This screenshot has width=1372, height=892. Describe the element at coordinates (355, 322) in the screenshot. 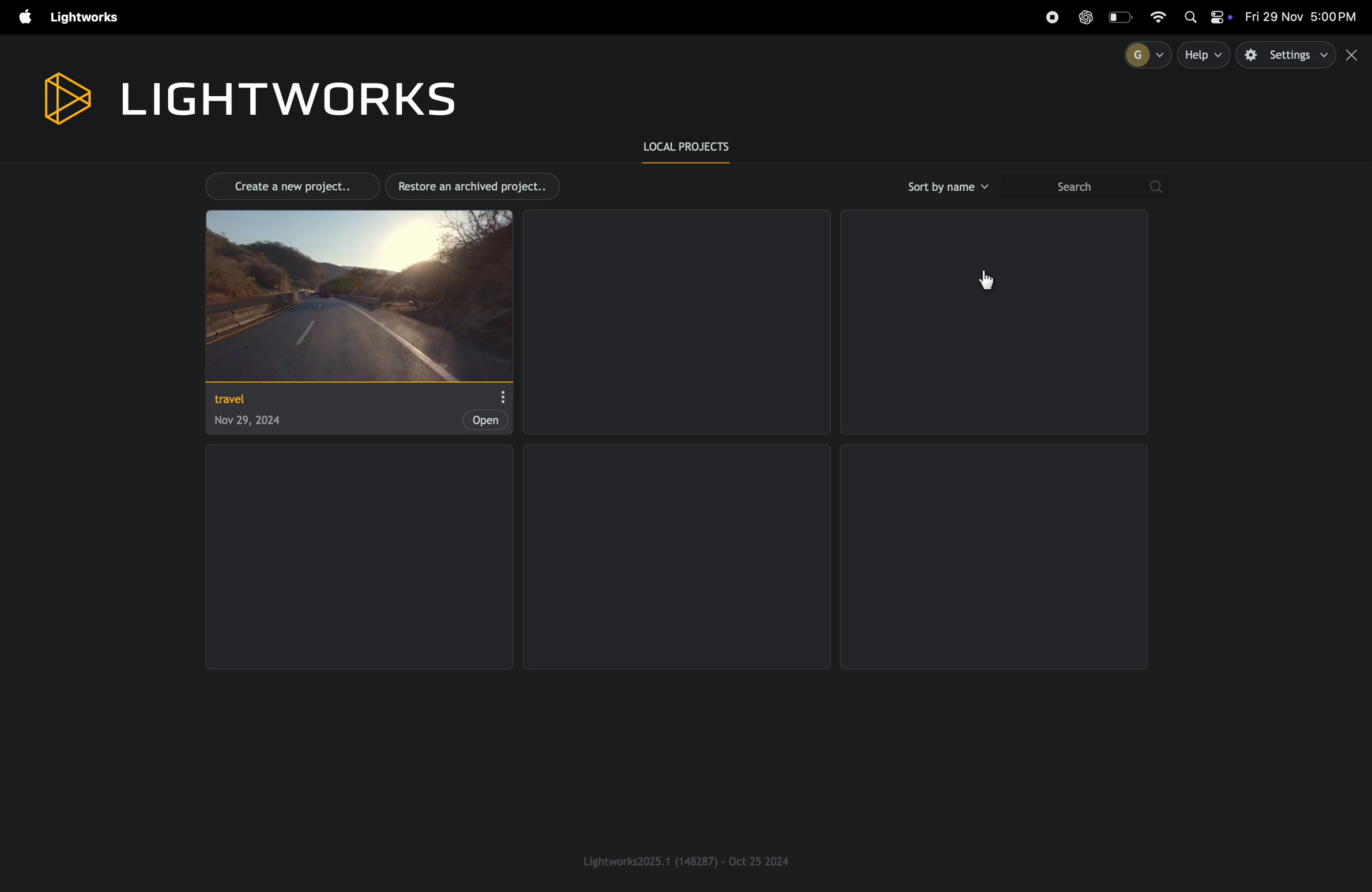

I see `project travel` at that location.